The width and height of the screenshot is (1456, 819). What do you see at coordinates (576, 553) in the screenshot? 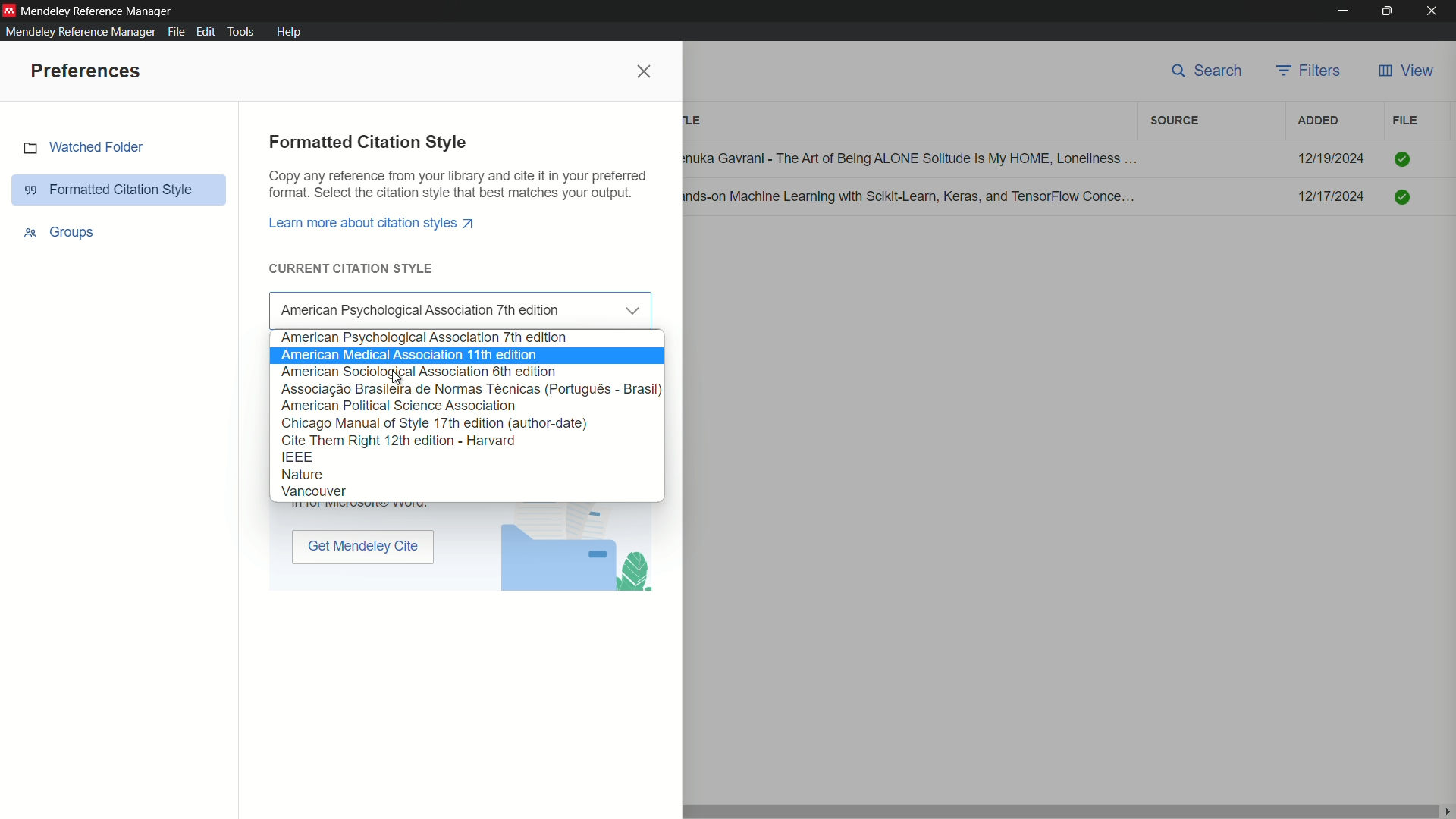
I see `photo` at bounding box center [576, 553].